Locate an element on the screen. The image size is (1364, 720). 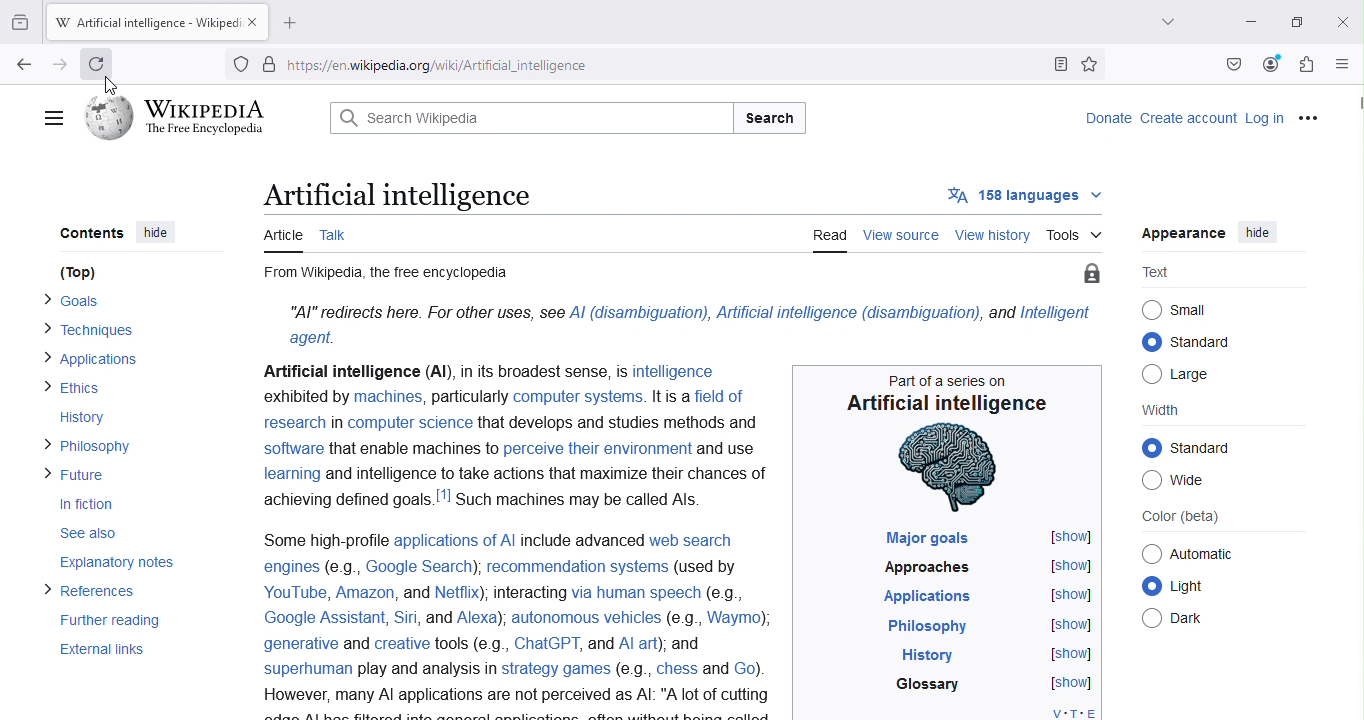
Automatic is located at coordinates (1190, 557).